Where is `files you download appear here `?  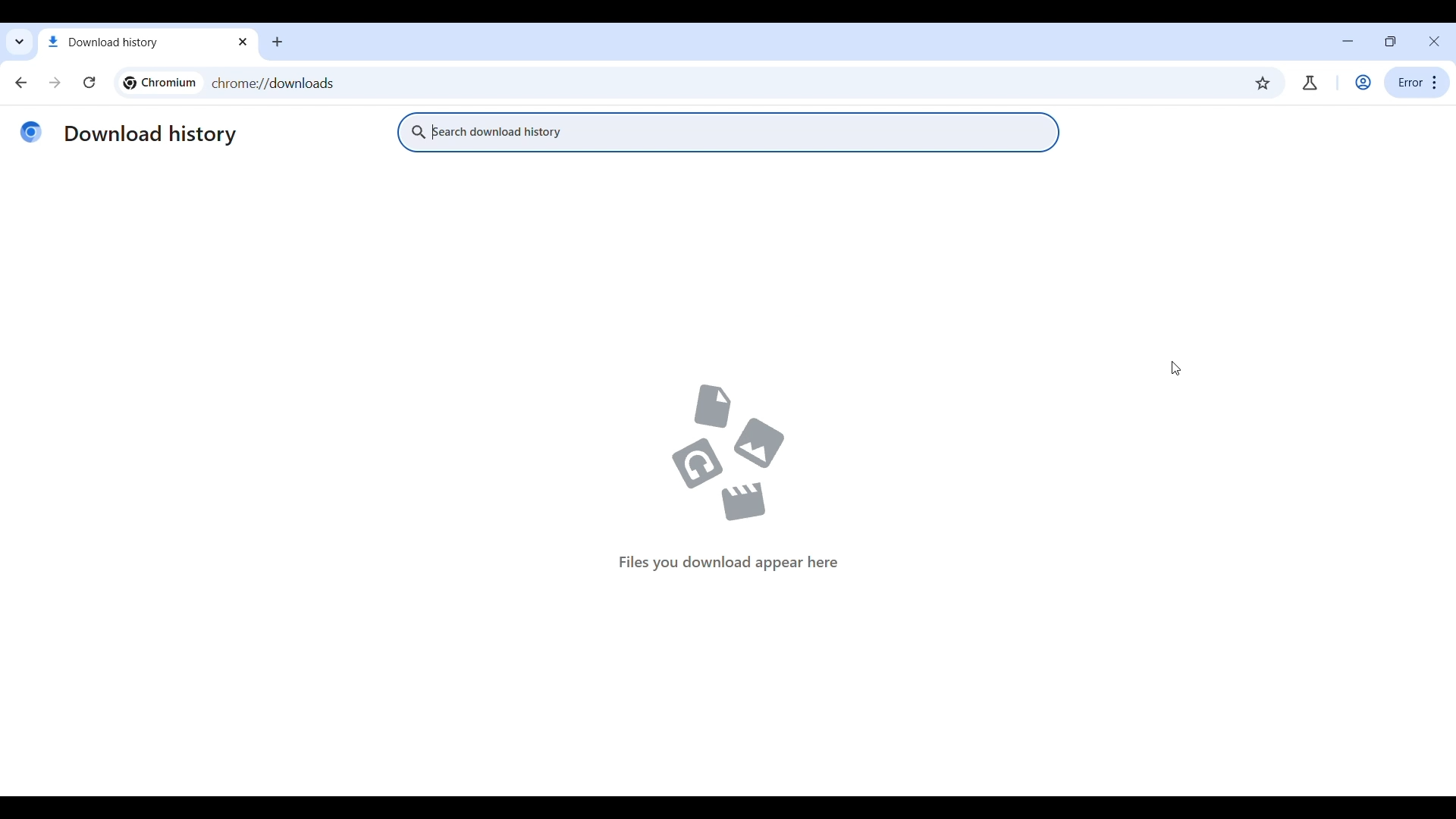
files you download appear here  is located at coordinates (728, 477).